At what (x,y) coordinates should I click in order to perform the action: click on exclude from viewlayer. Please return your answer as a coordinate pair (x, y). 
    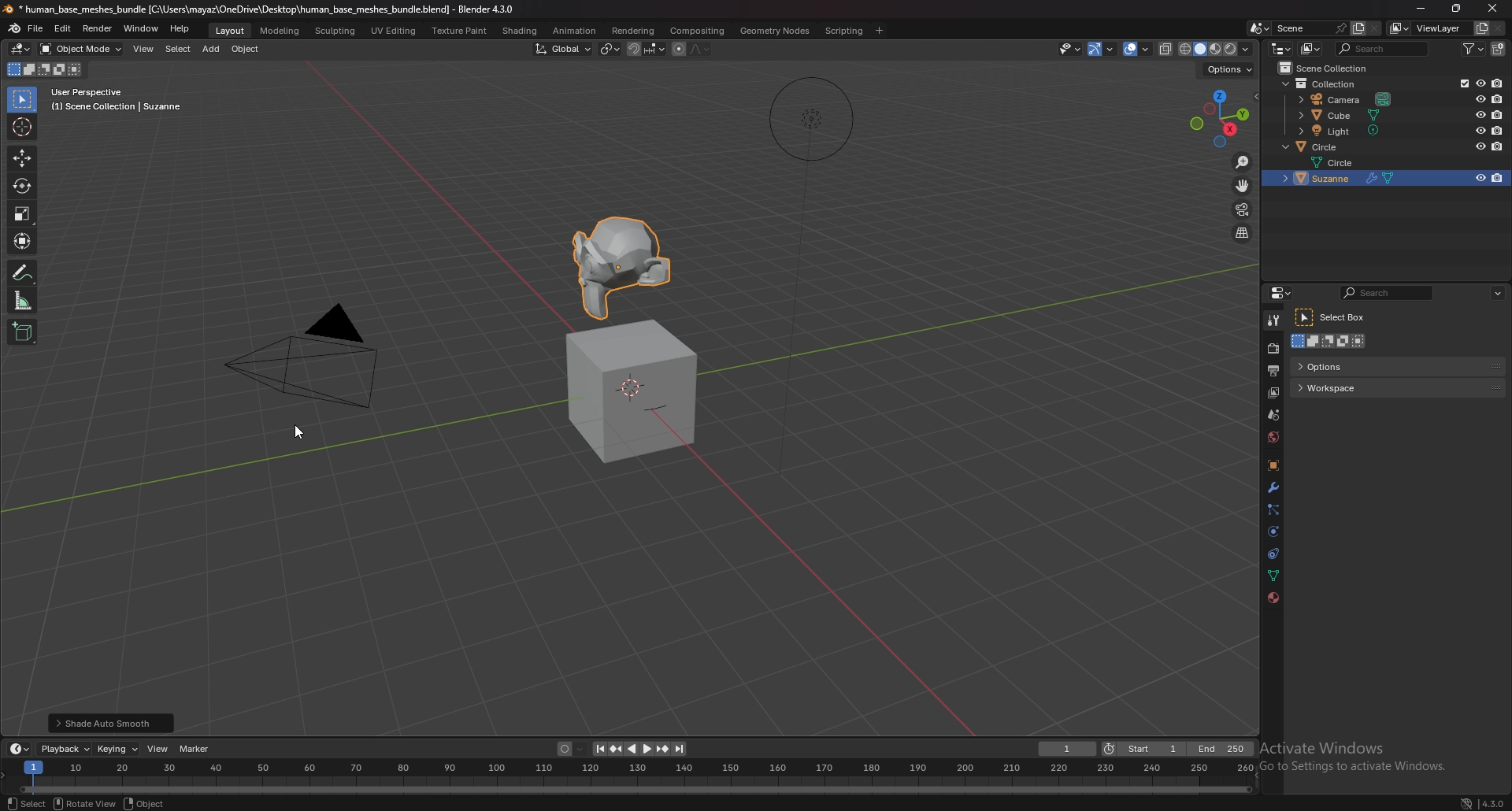
    Looking at the image, I should click on (1461, 83).